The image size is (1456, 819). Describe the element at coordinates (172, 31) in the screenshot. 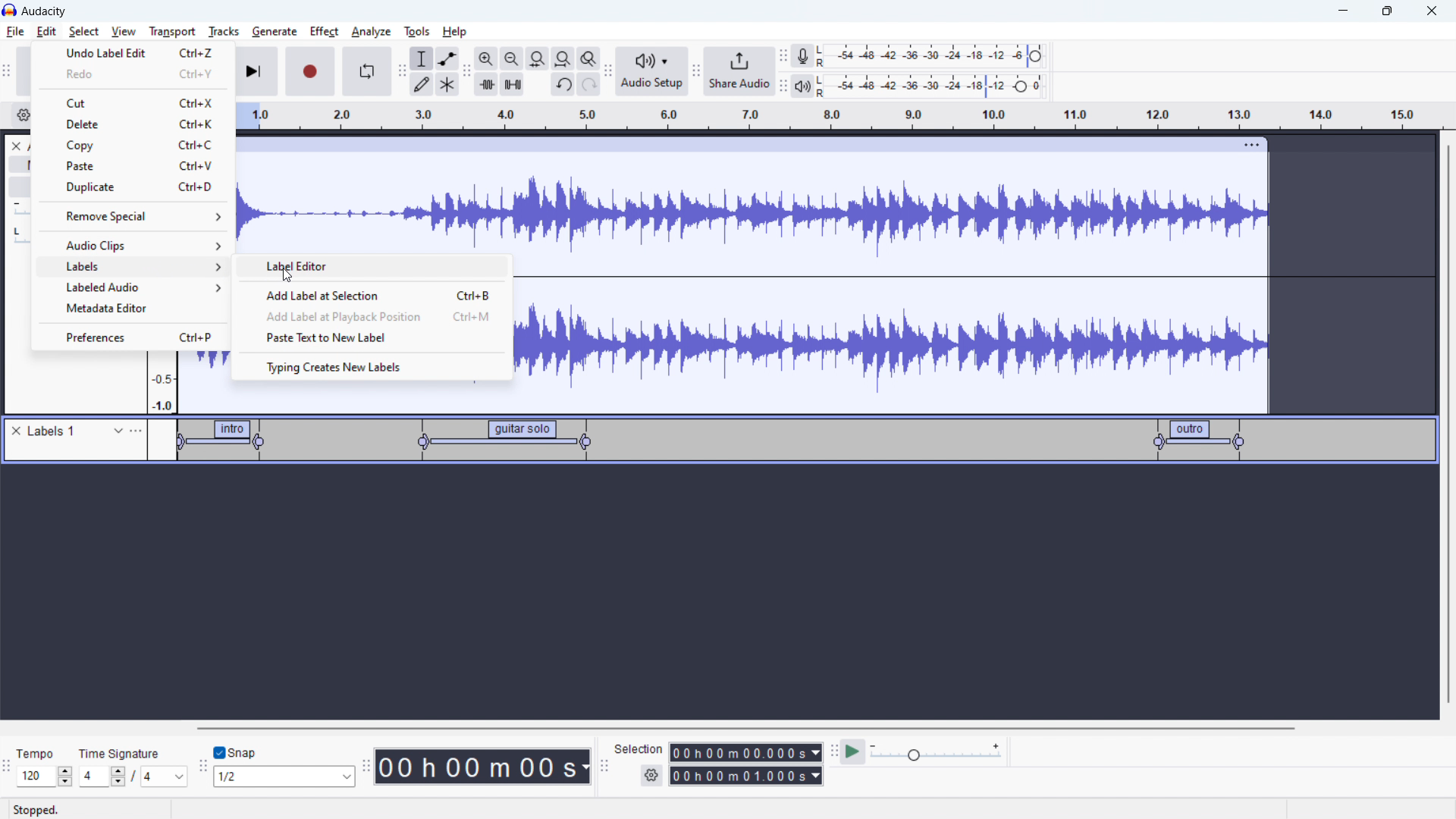

I see `transport` at that location.